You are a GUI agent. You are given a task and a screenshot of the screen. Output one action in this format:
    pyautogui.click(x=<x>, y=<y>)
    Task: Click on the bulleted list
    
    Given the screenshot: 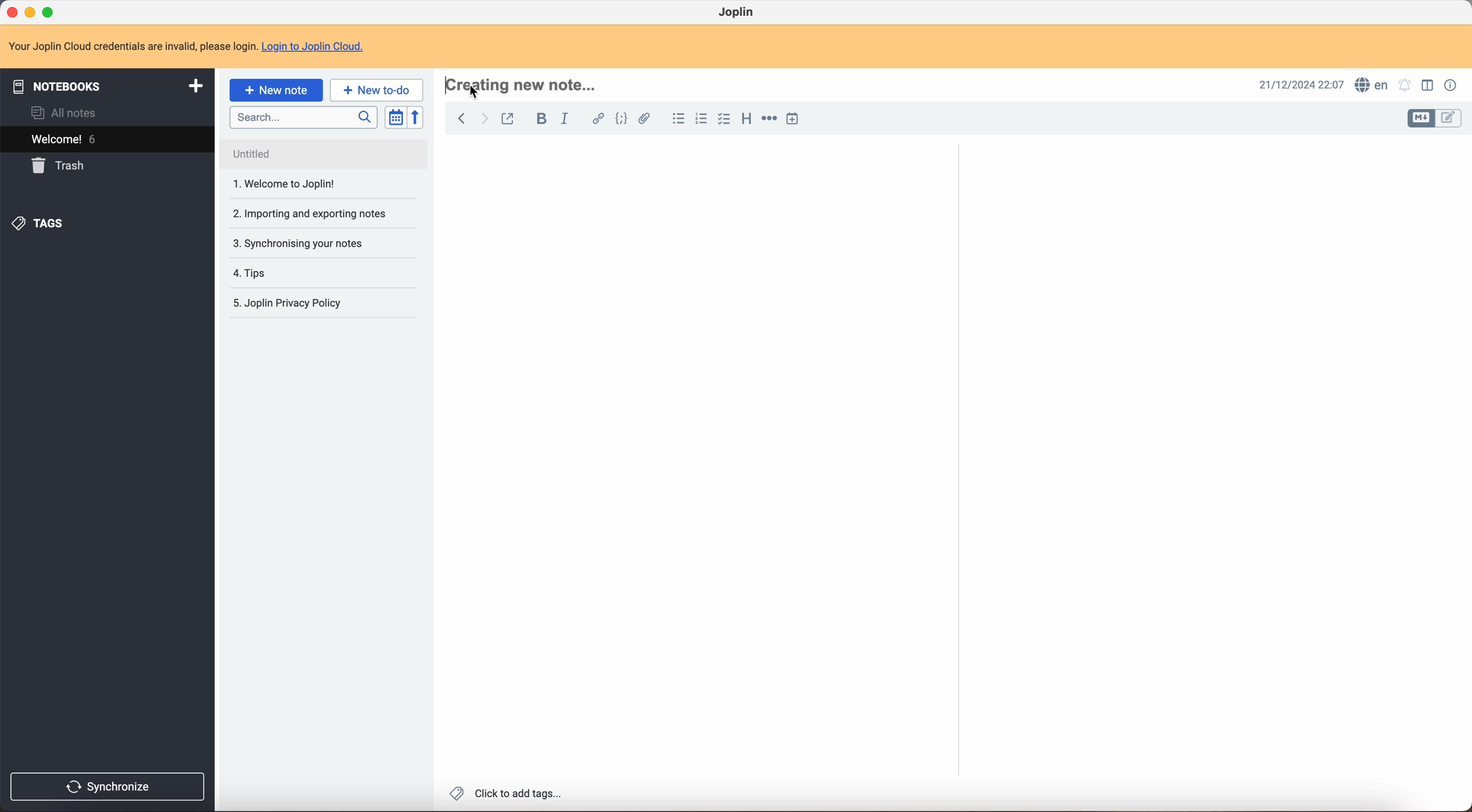 What is the action you would take?
    pyautogui.click(x=678, y=119)
    